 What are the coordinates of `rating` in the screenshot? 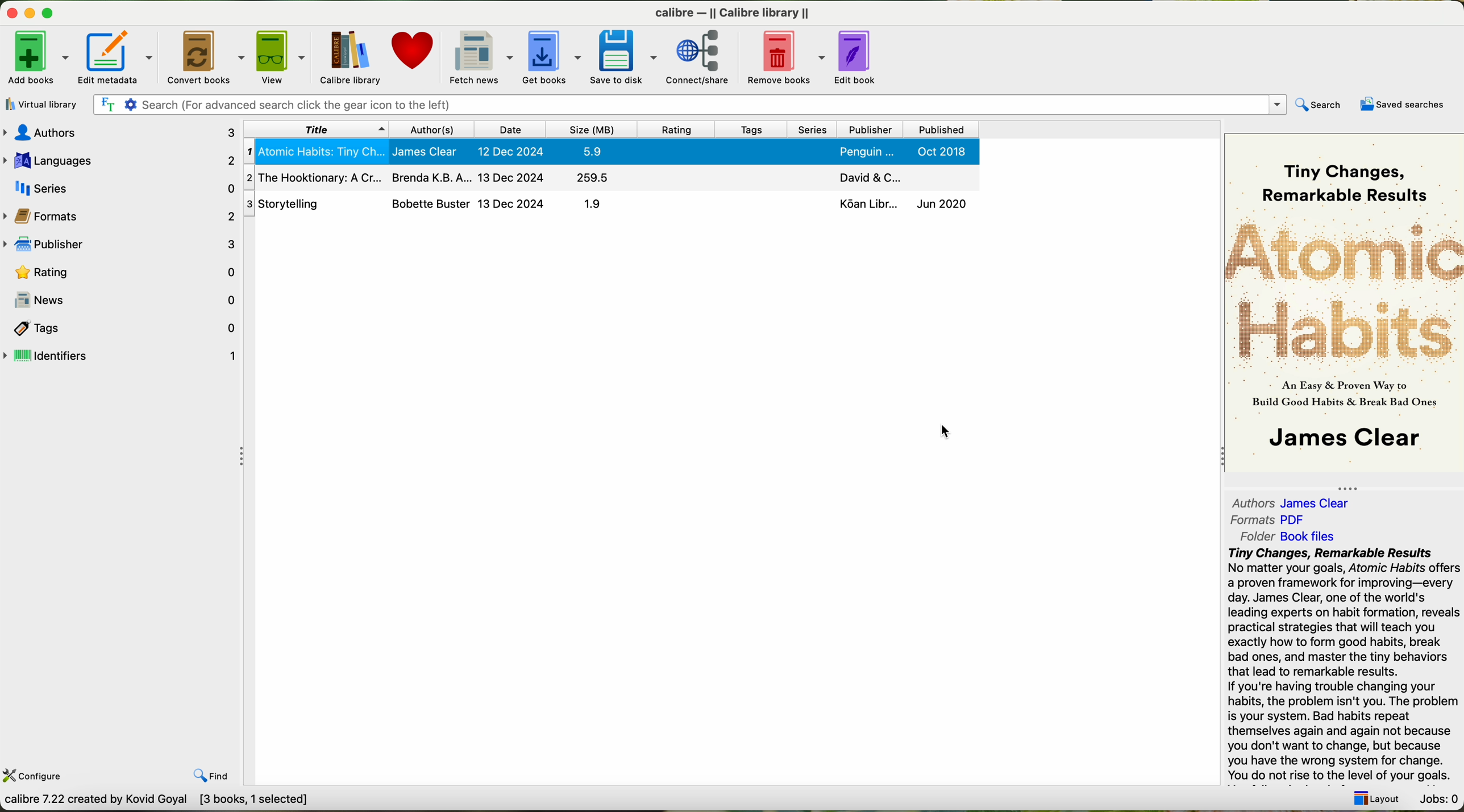 It's located at (680, 129).